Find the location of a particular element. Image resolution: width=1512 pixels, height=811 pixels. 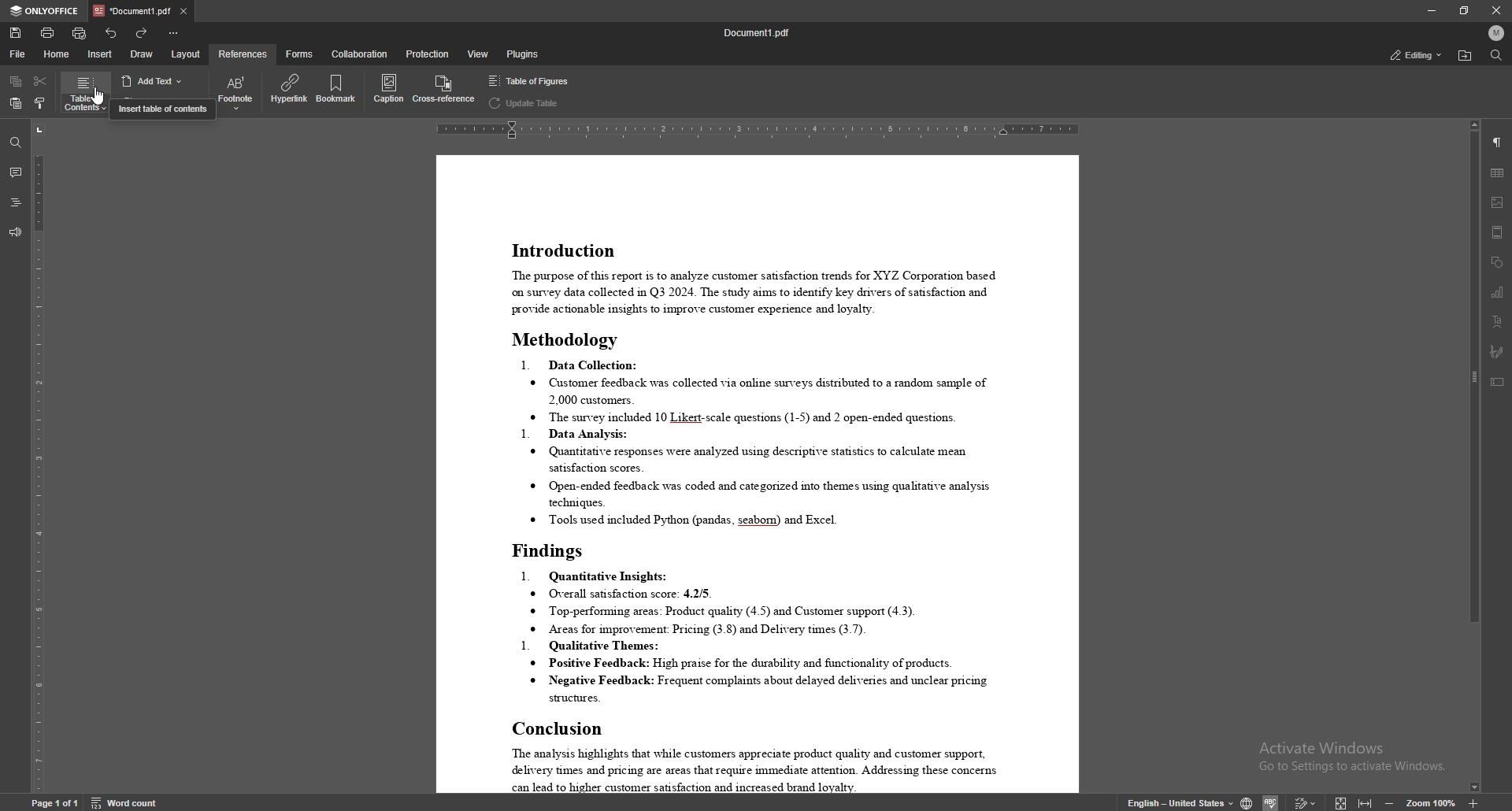

zoom is located at coordinates (1436, 802).